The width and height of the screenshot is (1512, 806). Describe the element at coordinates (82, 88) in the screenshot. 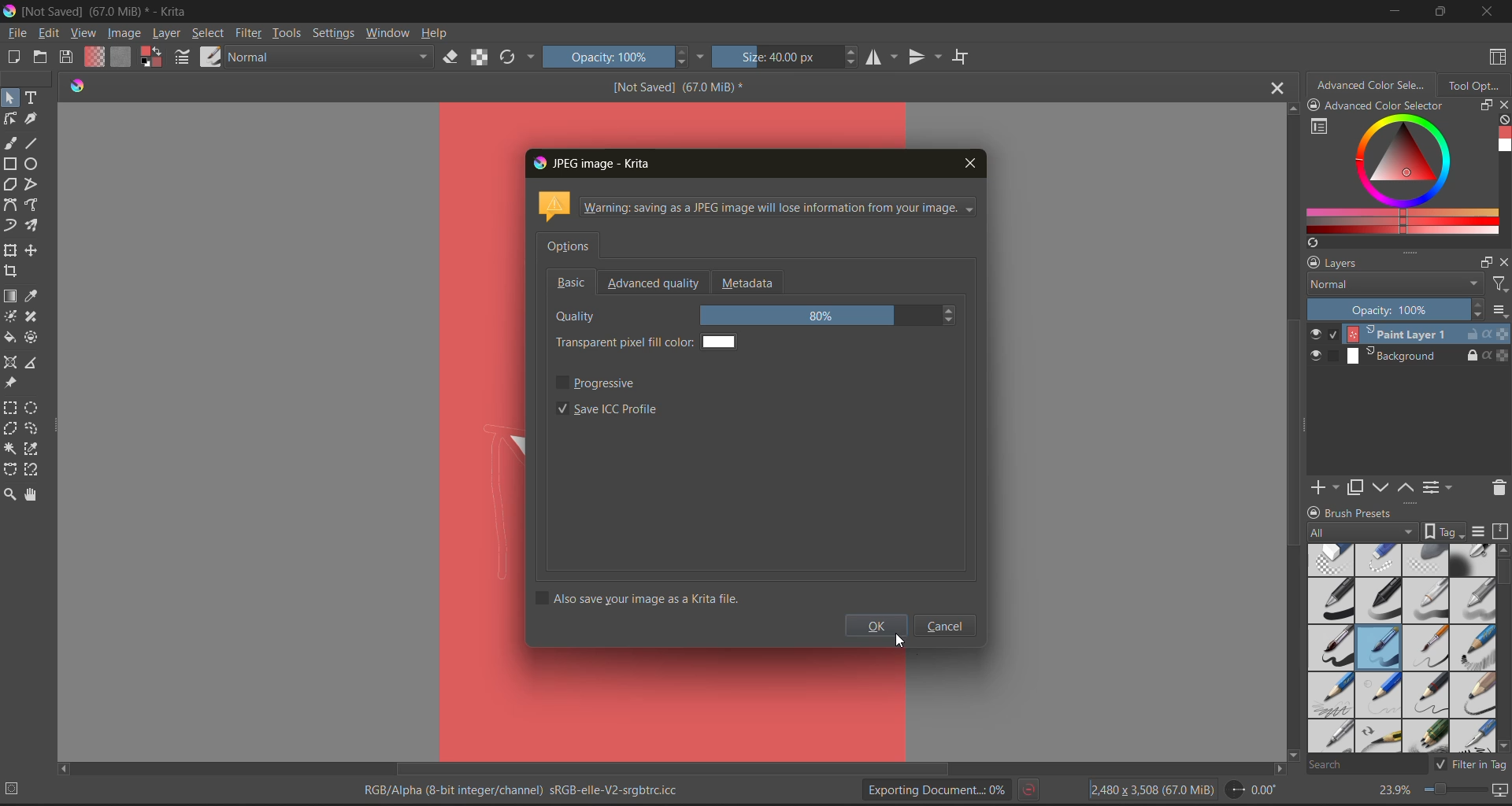

I see `Software logo` at that location.